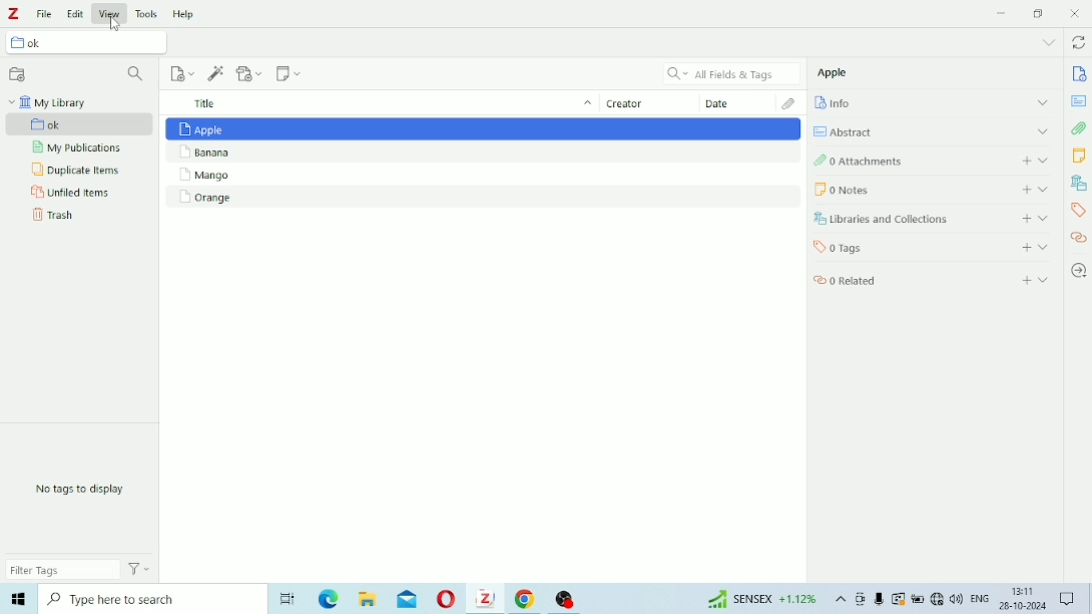 The height and width of the screenshot is (614, 1092). What do you see at coordinates (147, 602) in the screenshot?
I see `Type here to search` at bounding box center [147, 602].